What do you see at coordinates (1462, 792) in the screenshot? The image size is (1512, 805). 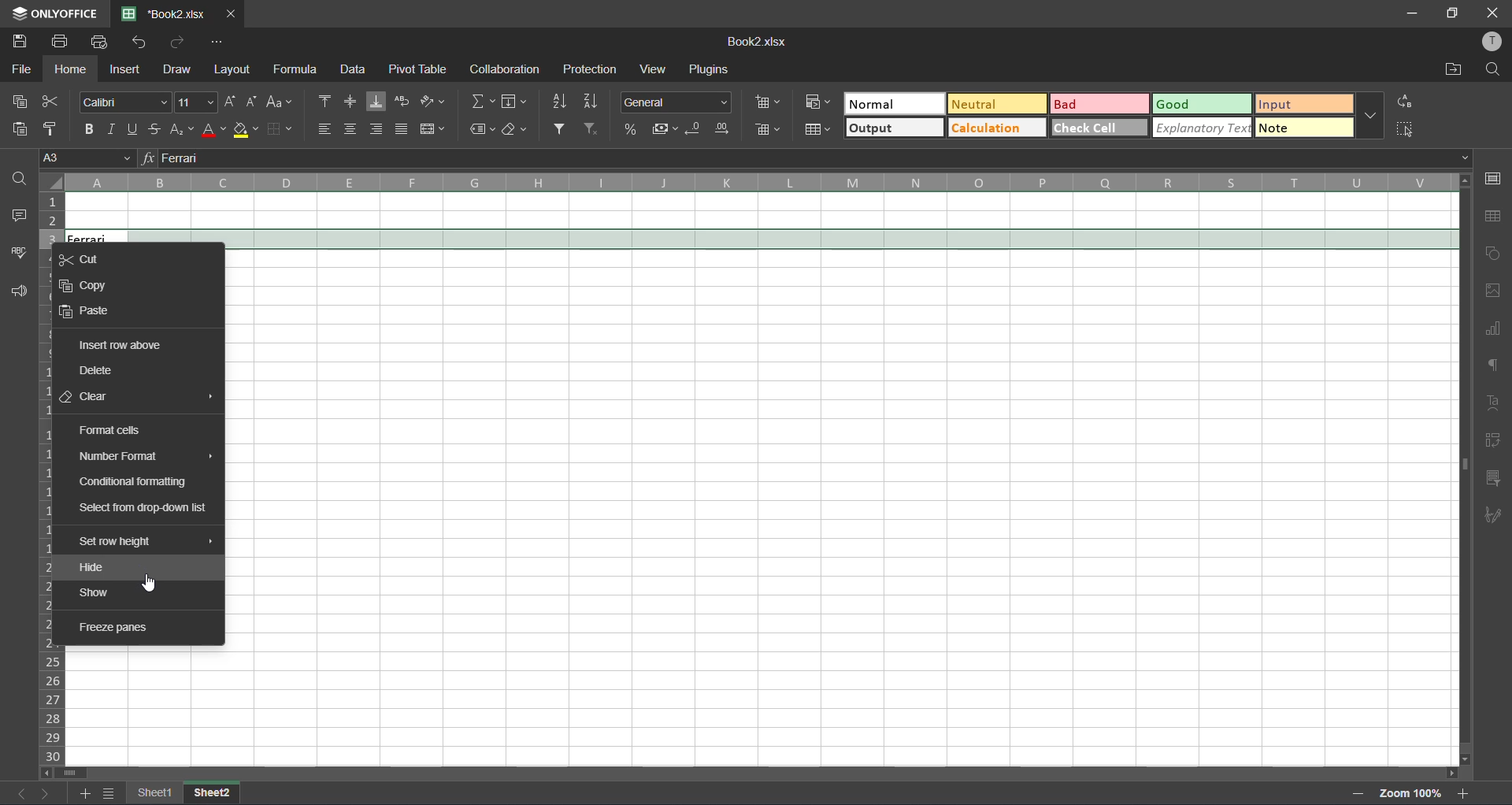 I see `zoom  in` at bounding box center [1462, 792].